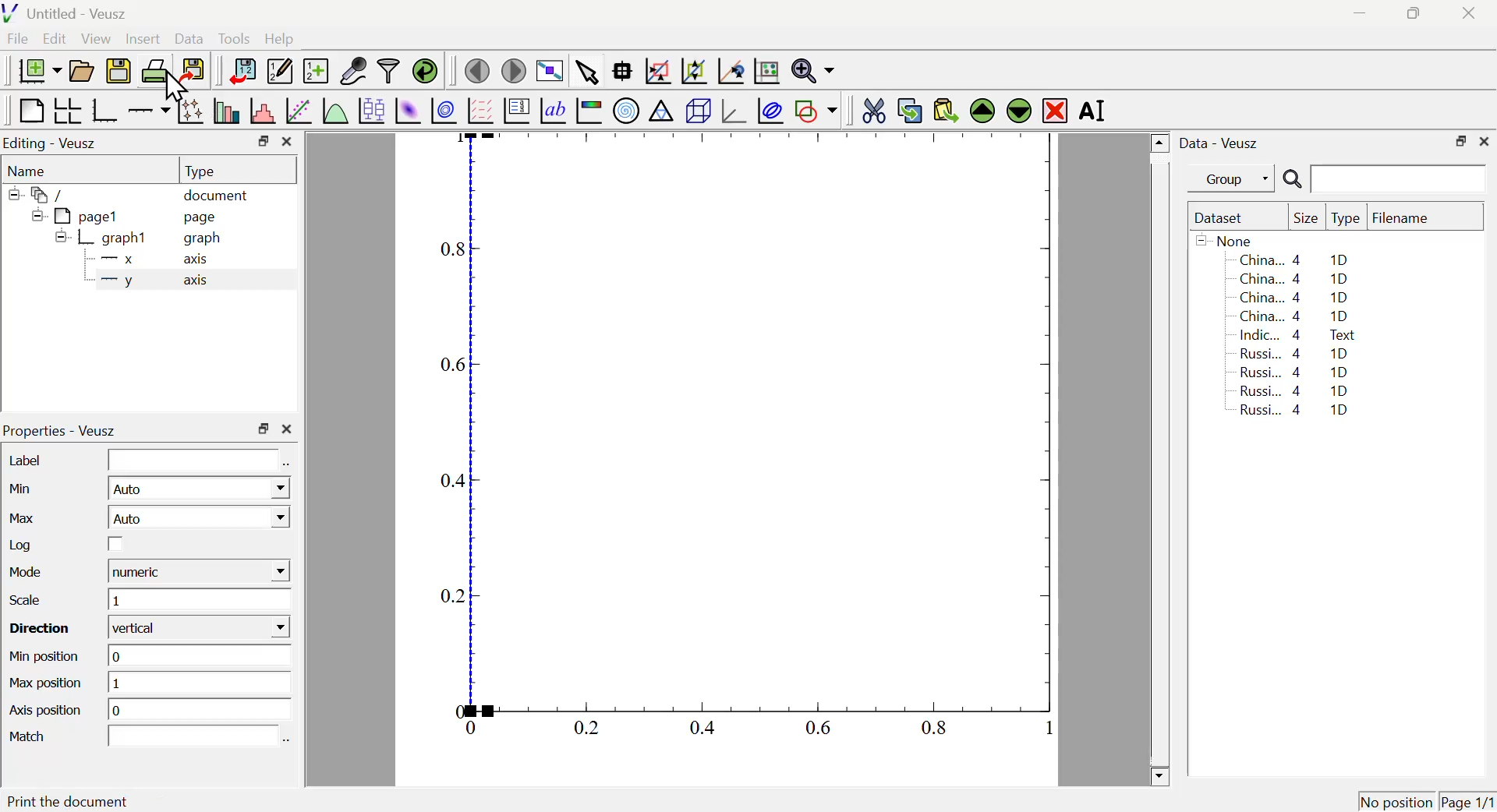 Image resolution: width=1497 pixels, height=812 pixels. I want to click on Print Document, so click(154, 70).